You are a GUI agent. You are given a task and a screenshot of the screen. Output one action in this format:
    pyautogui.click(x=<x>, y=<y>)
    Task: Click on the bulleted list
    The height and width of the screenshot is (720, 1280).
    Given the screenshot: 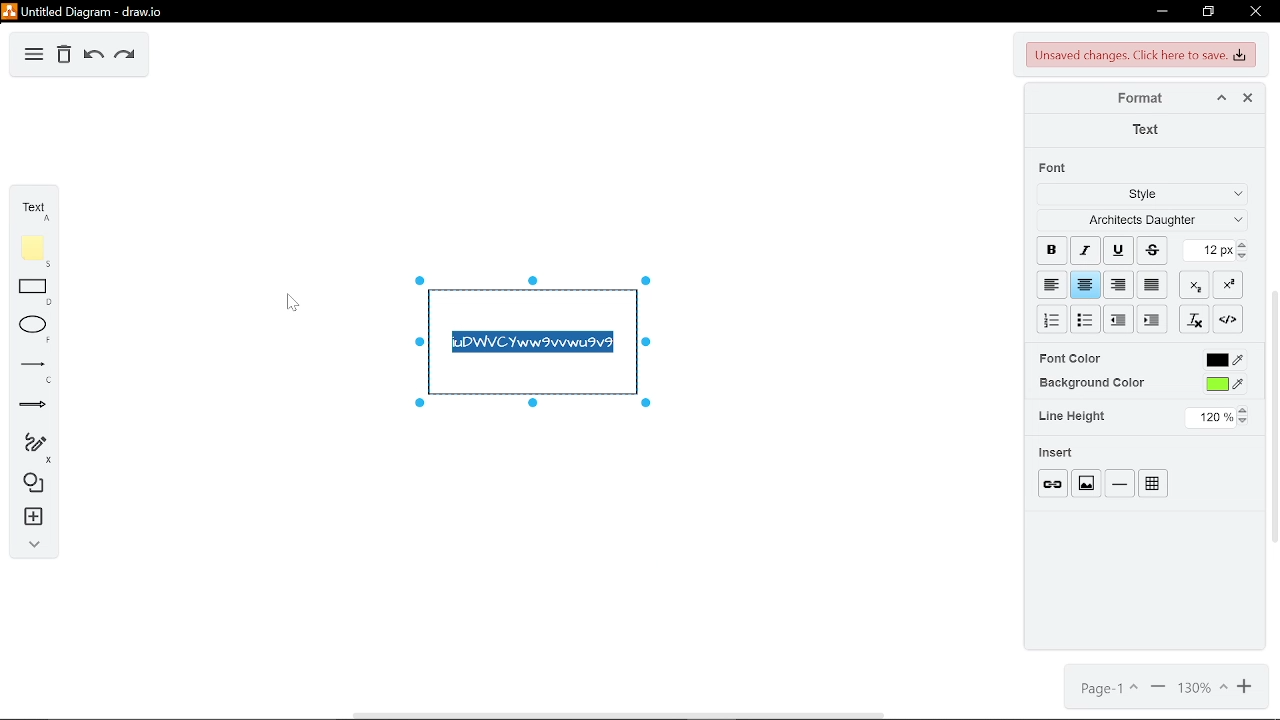 What is the action you would take?
    pyautogui.click(x=1087, y=319)
    